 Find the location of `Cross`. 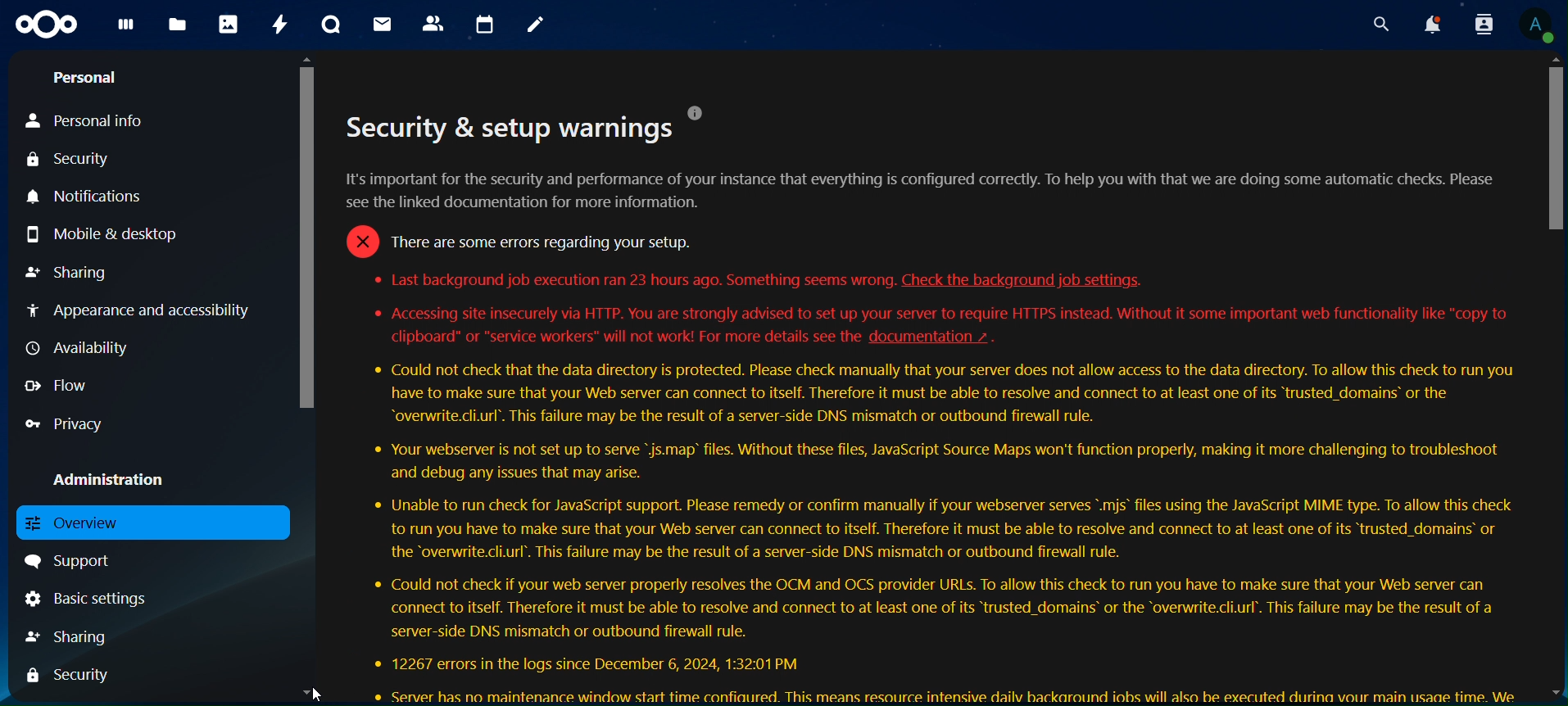

Cross is located at coordinates (360, 241).